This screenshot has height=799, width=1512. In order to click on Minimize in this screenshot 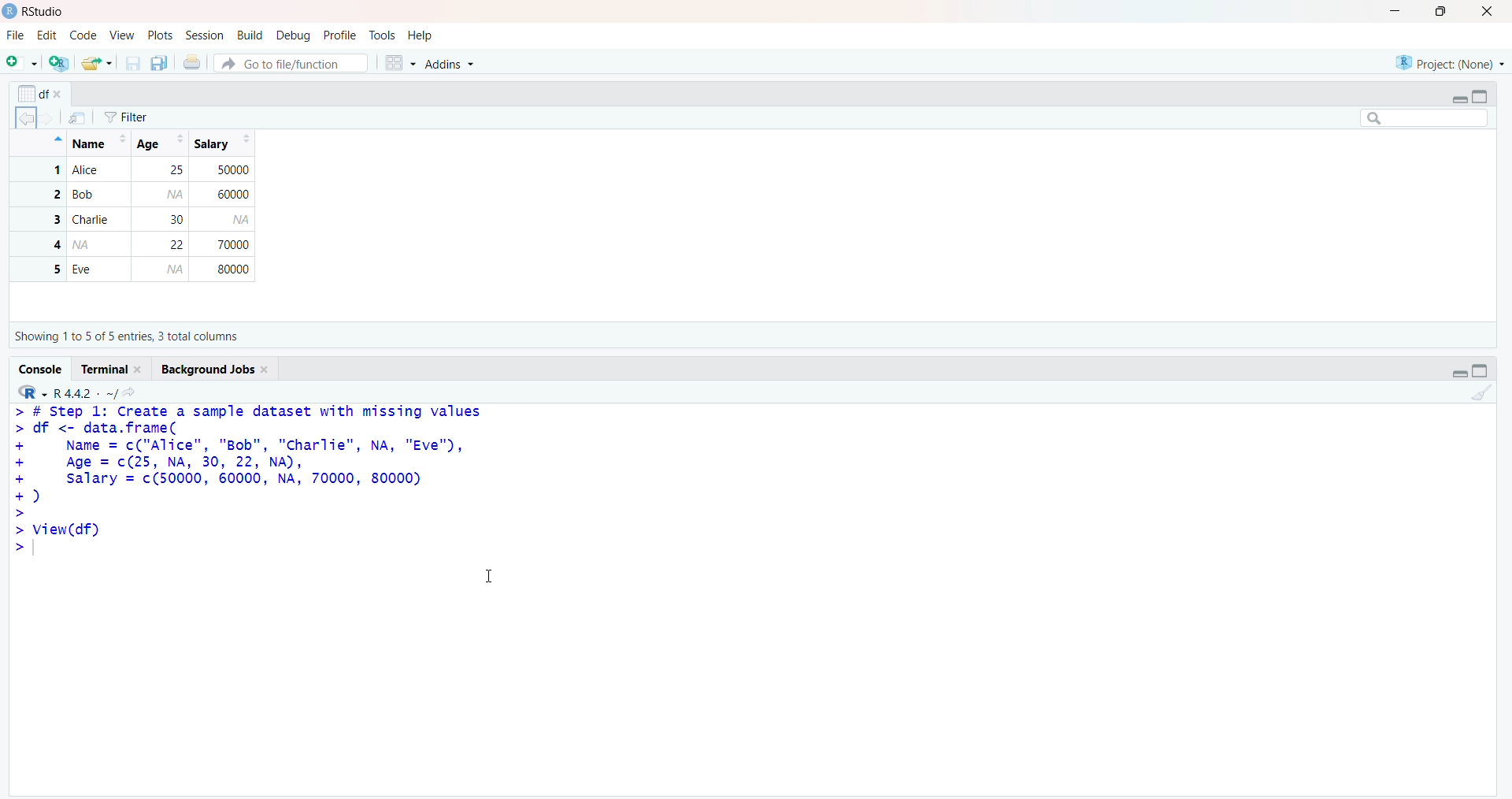, I will do `click(1457, 98)`.